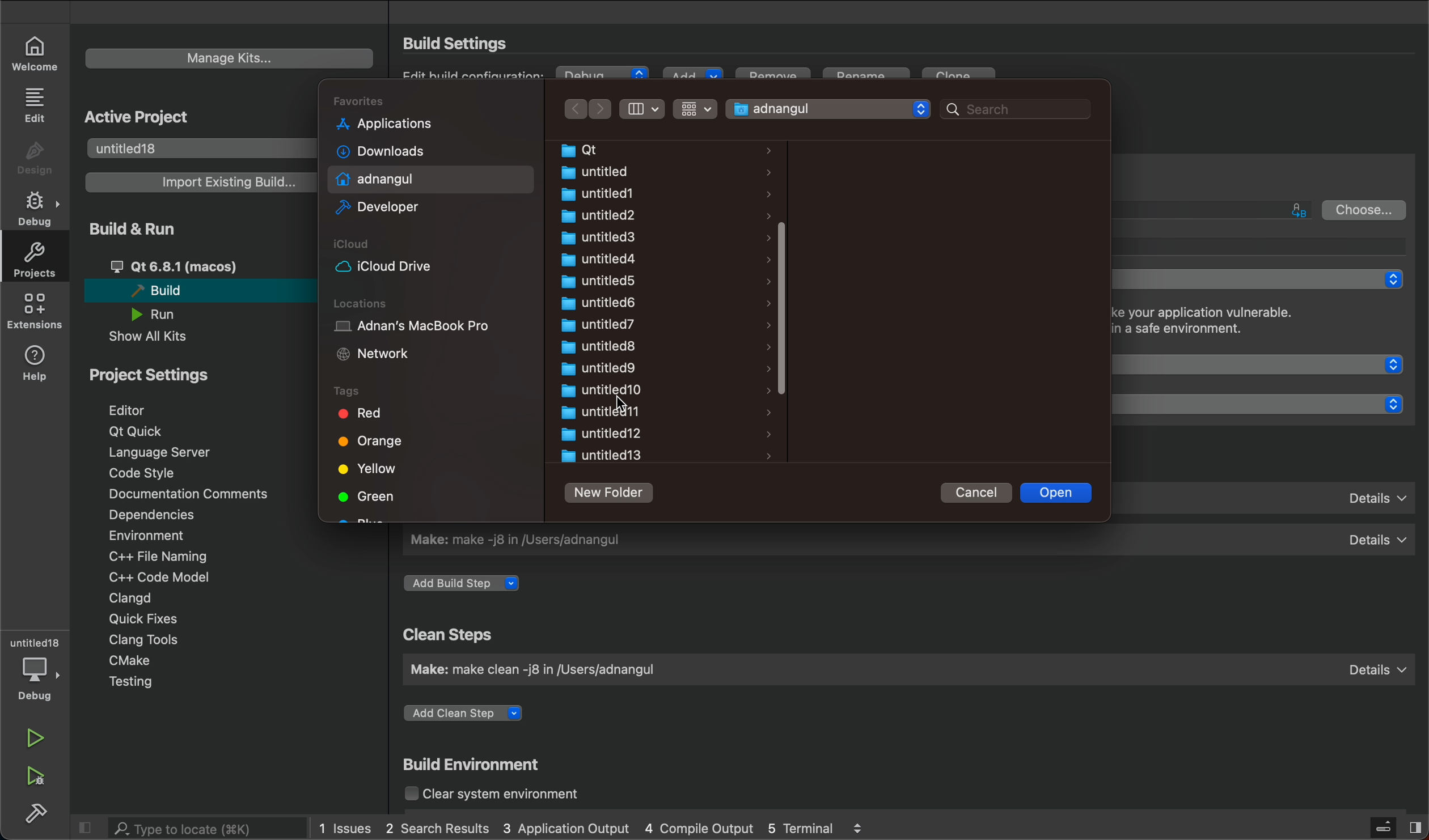  What do you see at coordinates (178, 576) in the screenshot?
I see `C++ code model` at bounding box center [178, 576].